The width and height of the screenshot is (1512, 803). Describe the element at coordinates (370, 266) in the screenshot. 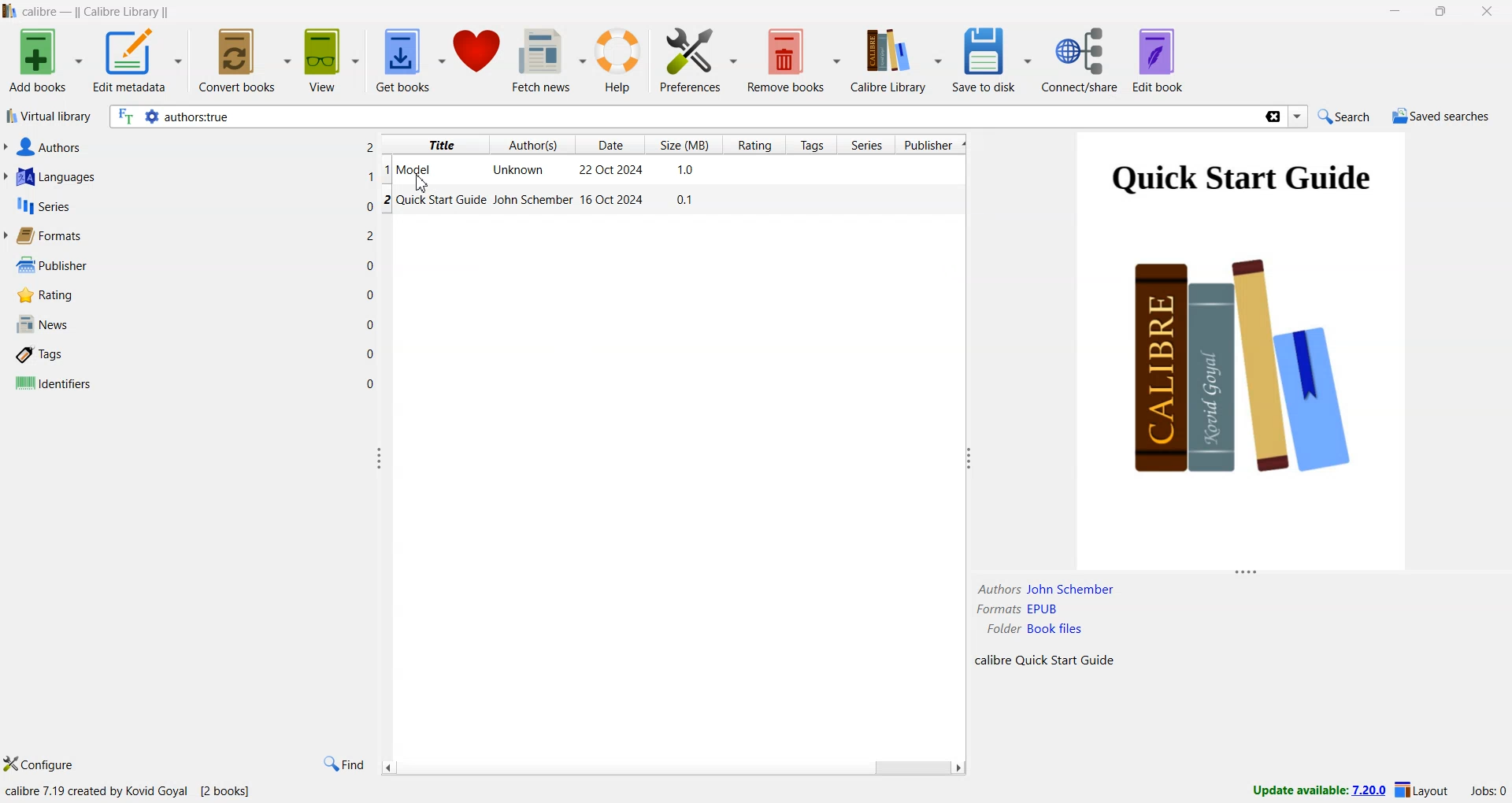

I see `0` at that location.